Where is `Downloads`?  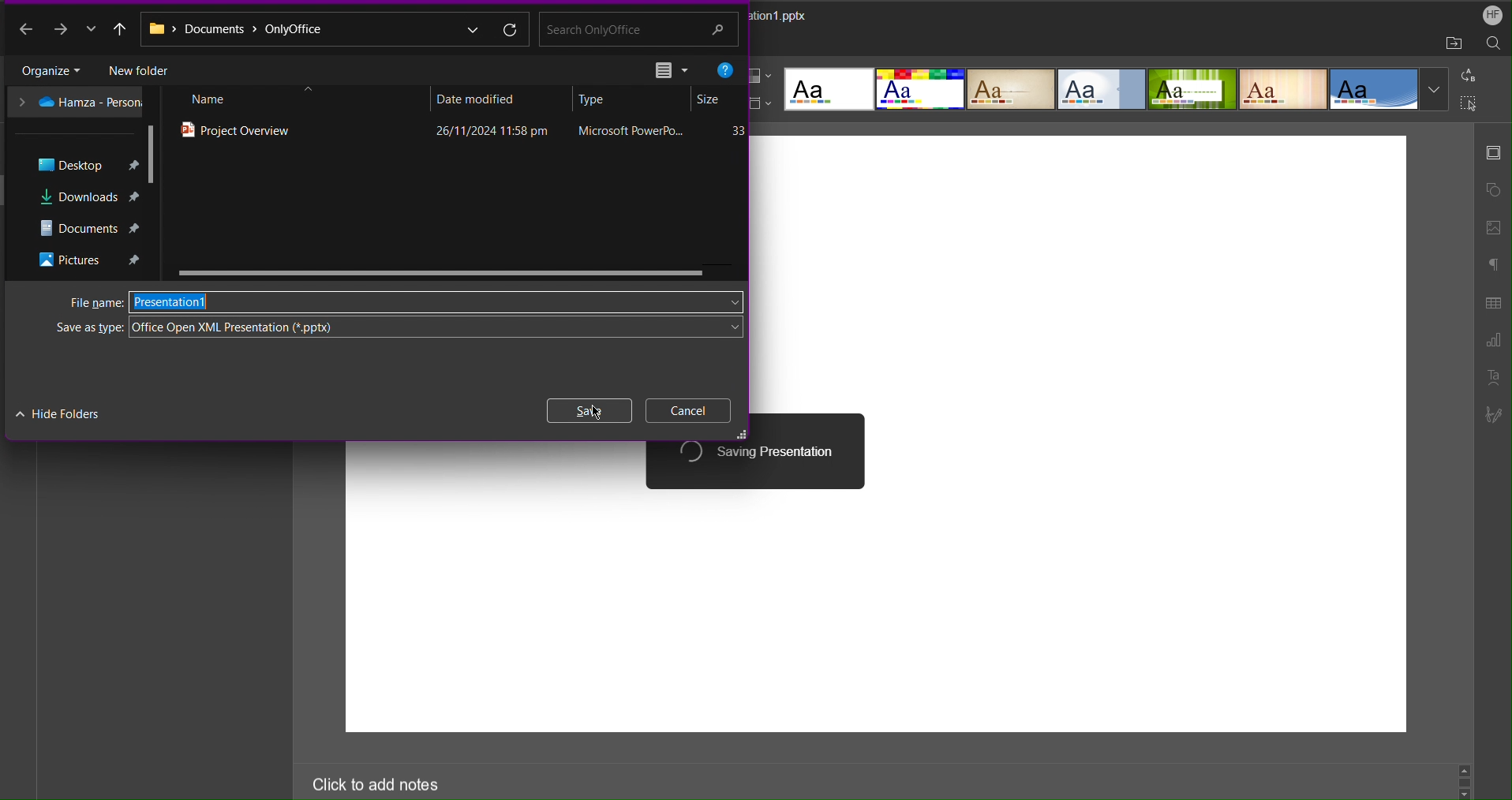
Downloads is located at coordinates (87, 197).